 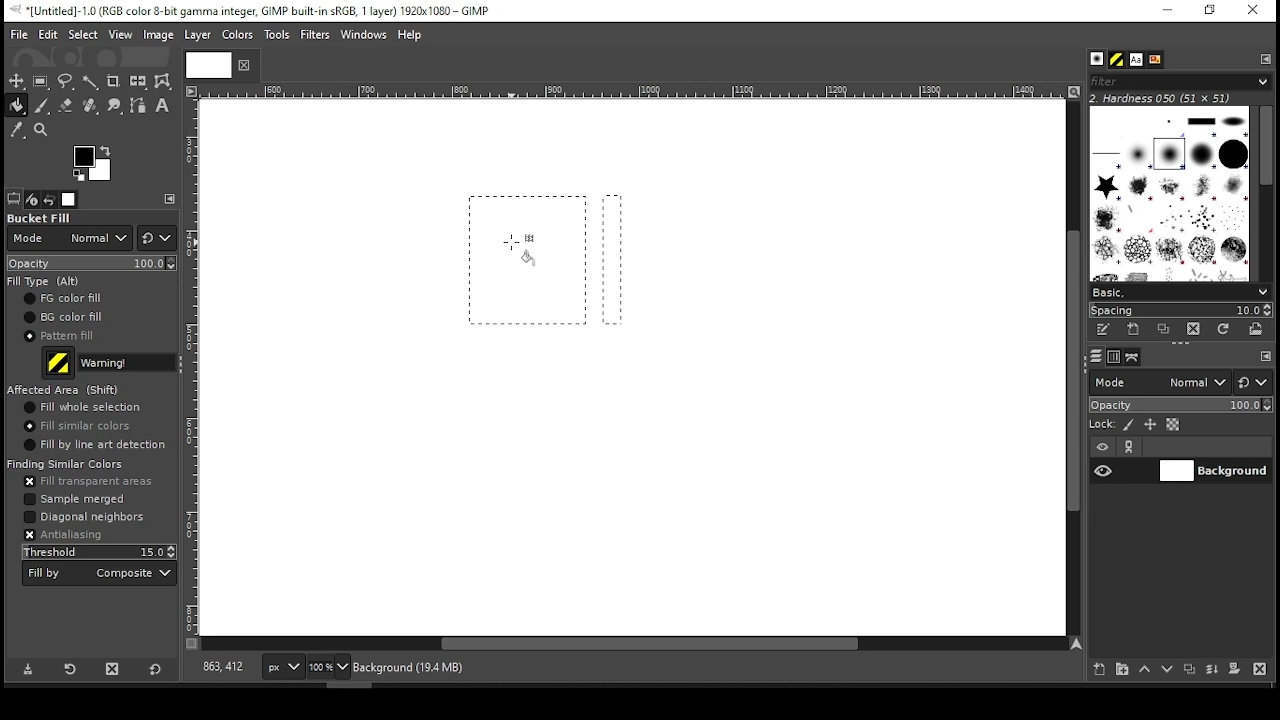 What do you see at coordinates (1192, 671) in the screenshot?
I see `duplicate layer` at bounding box center [1192, 671].